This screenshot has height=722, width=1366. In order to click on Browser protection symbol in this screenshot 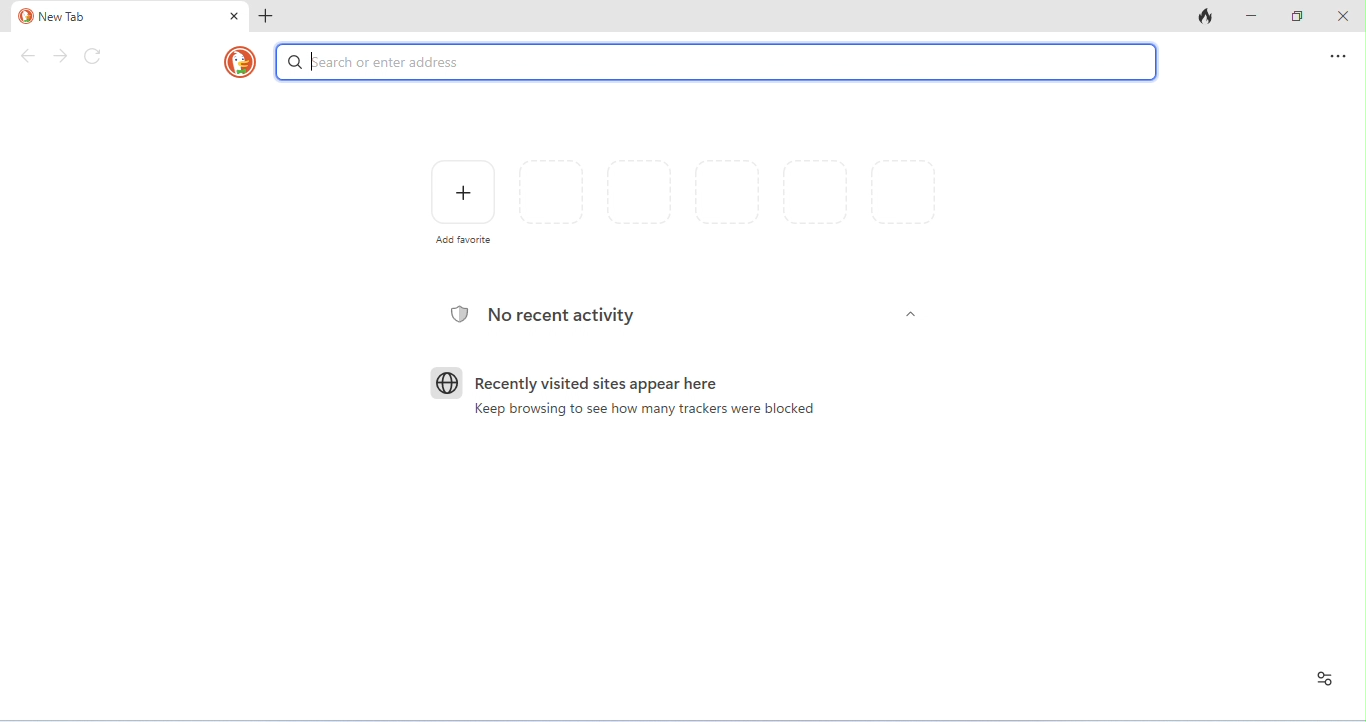, I will do `click(459, 314)`.